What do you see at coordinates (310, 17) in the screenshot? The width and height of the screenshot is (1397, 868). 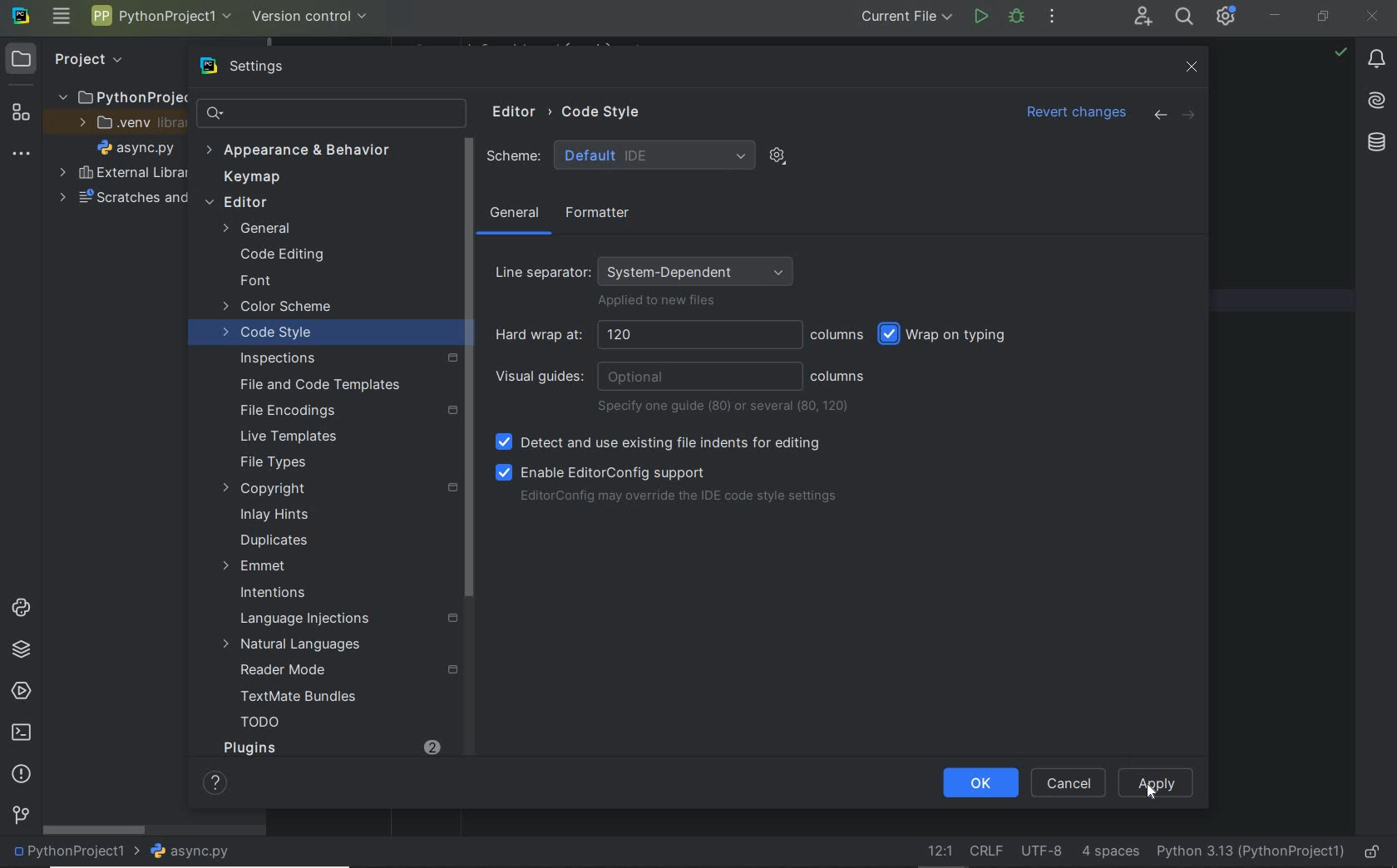 I see `version control` at bounding box center [310, 17].